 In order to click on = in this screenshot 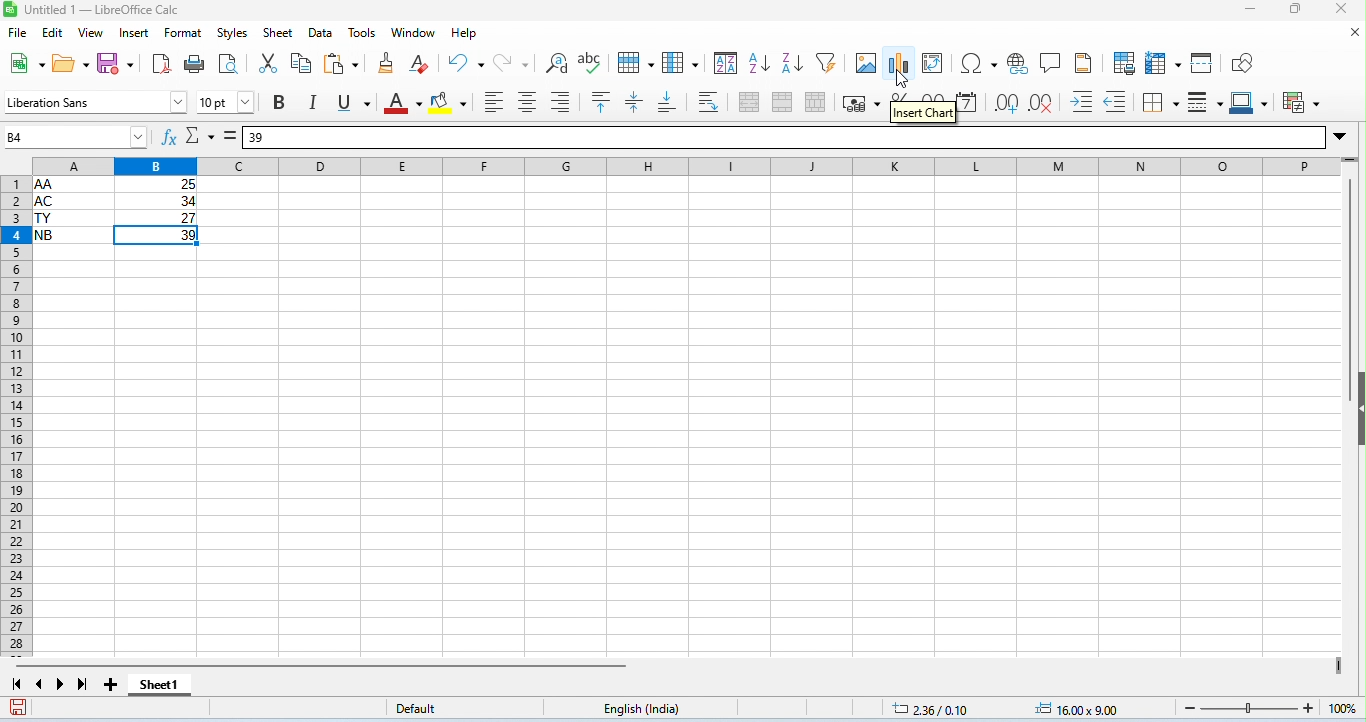, I will do `click(232, 135)`.